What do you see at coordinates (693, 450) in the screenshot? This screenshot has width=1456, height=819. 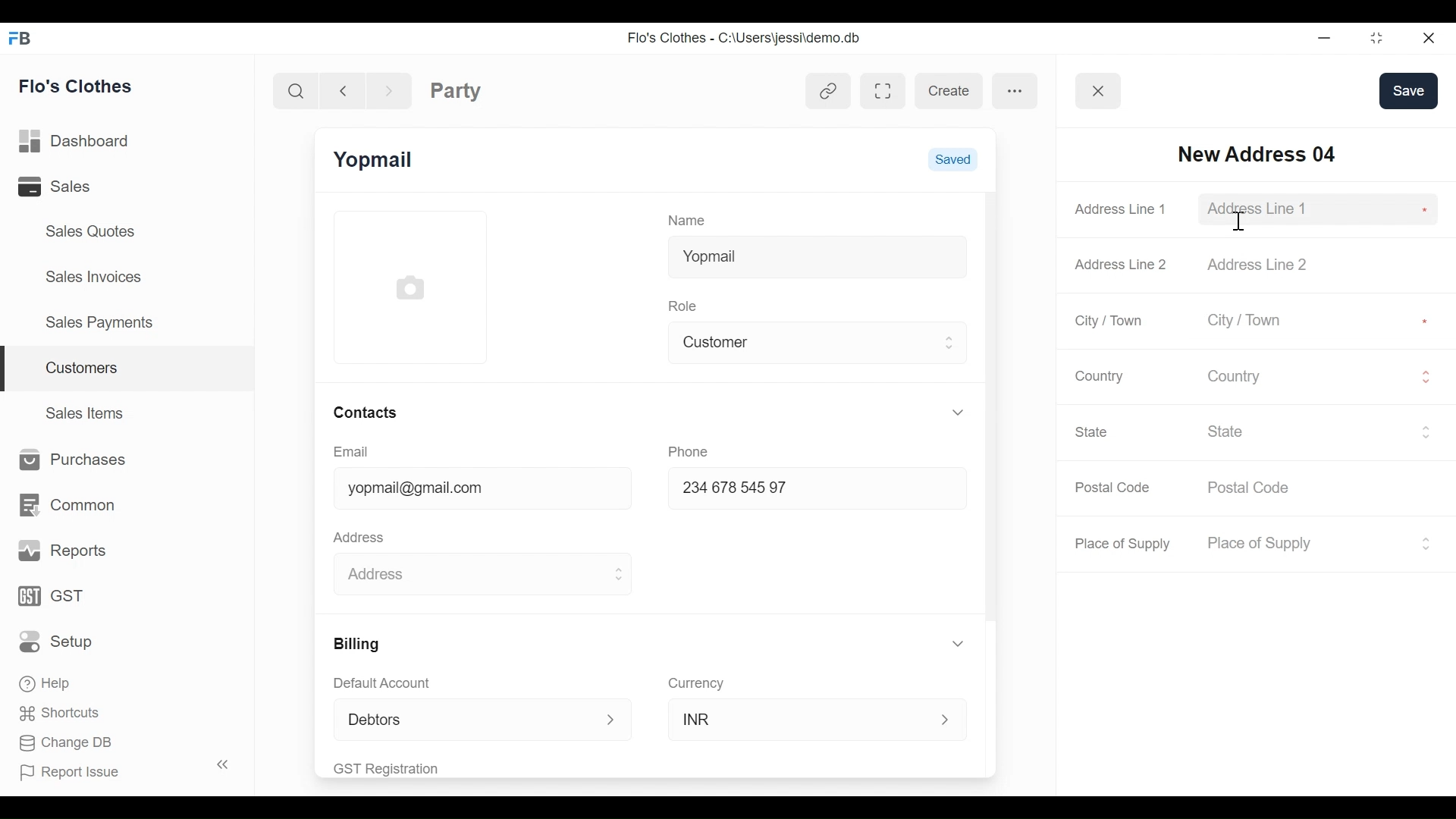 I see `Phone` at bounding box center [693, 450].